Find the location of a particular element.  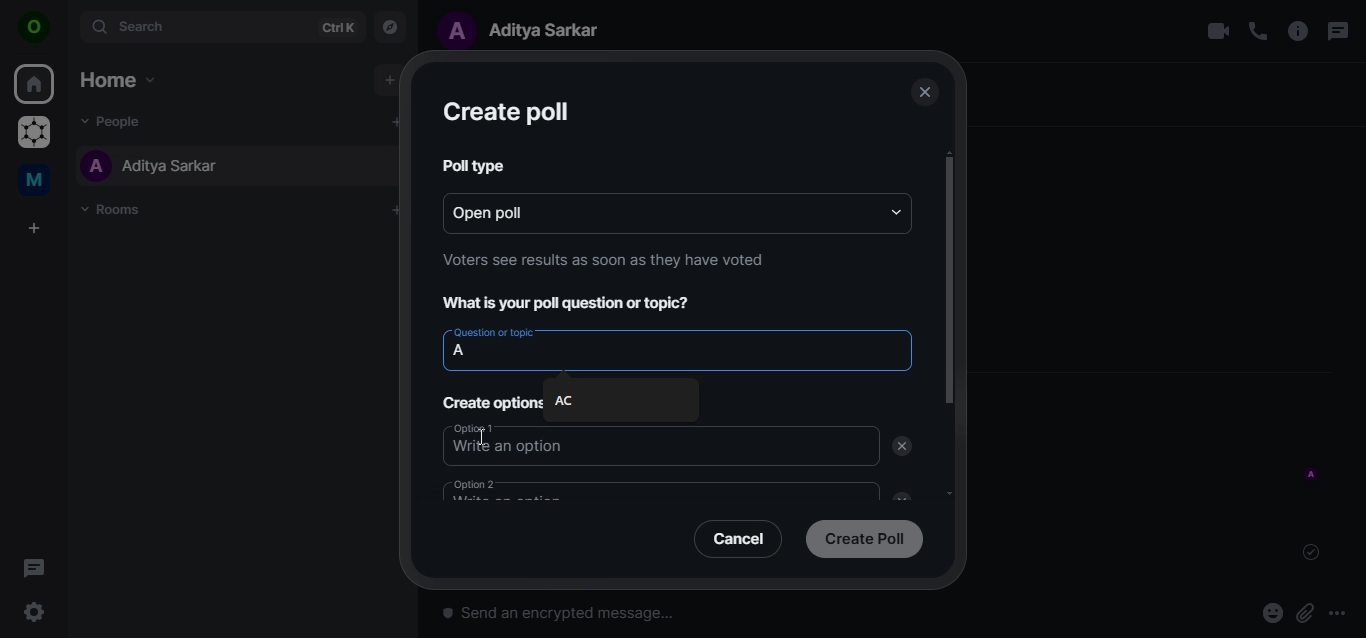

option1 is located at coordinates (562, 445).